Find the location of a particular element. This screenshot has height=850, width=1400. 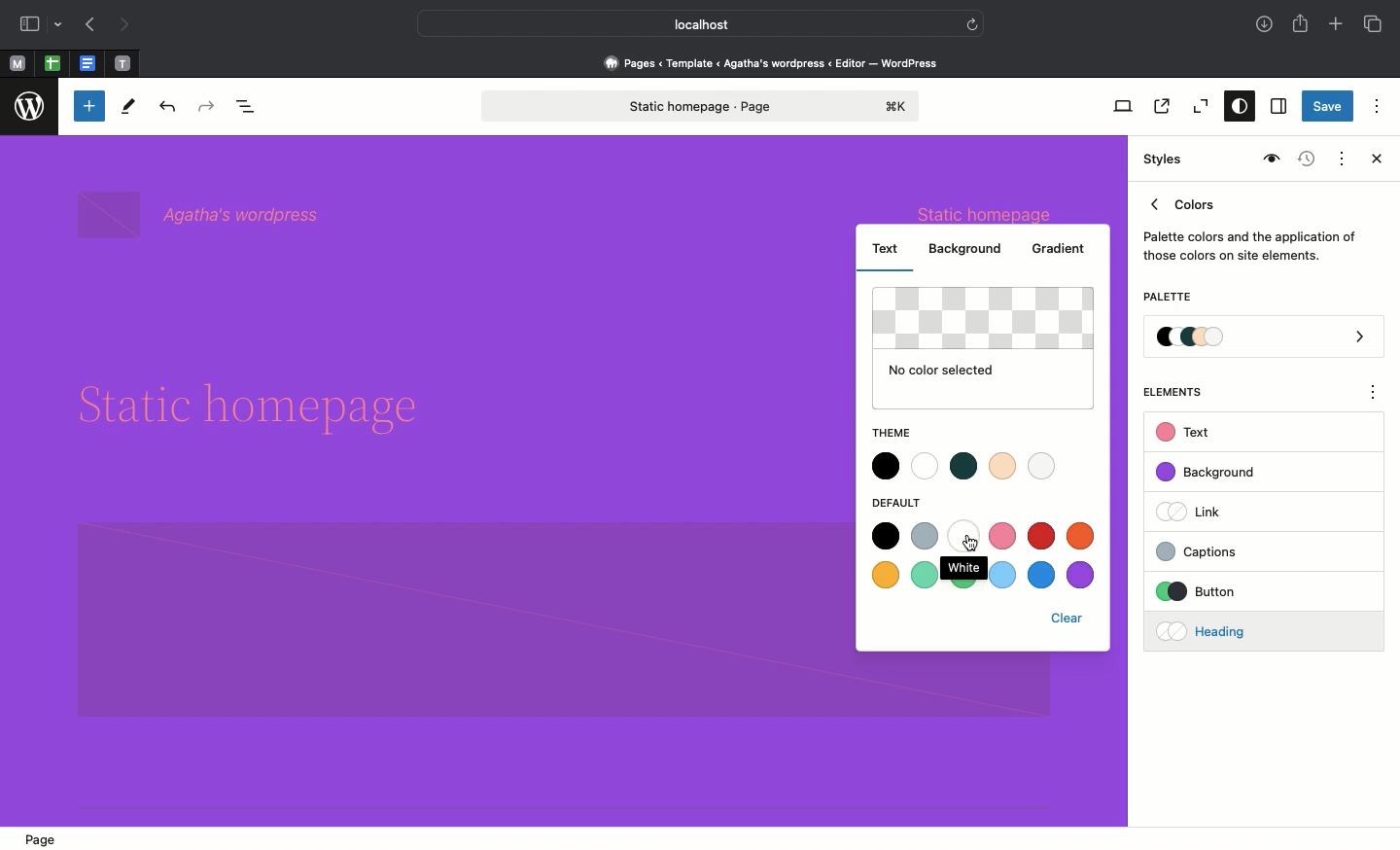

View is located at coordinates (1119, 106).